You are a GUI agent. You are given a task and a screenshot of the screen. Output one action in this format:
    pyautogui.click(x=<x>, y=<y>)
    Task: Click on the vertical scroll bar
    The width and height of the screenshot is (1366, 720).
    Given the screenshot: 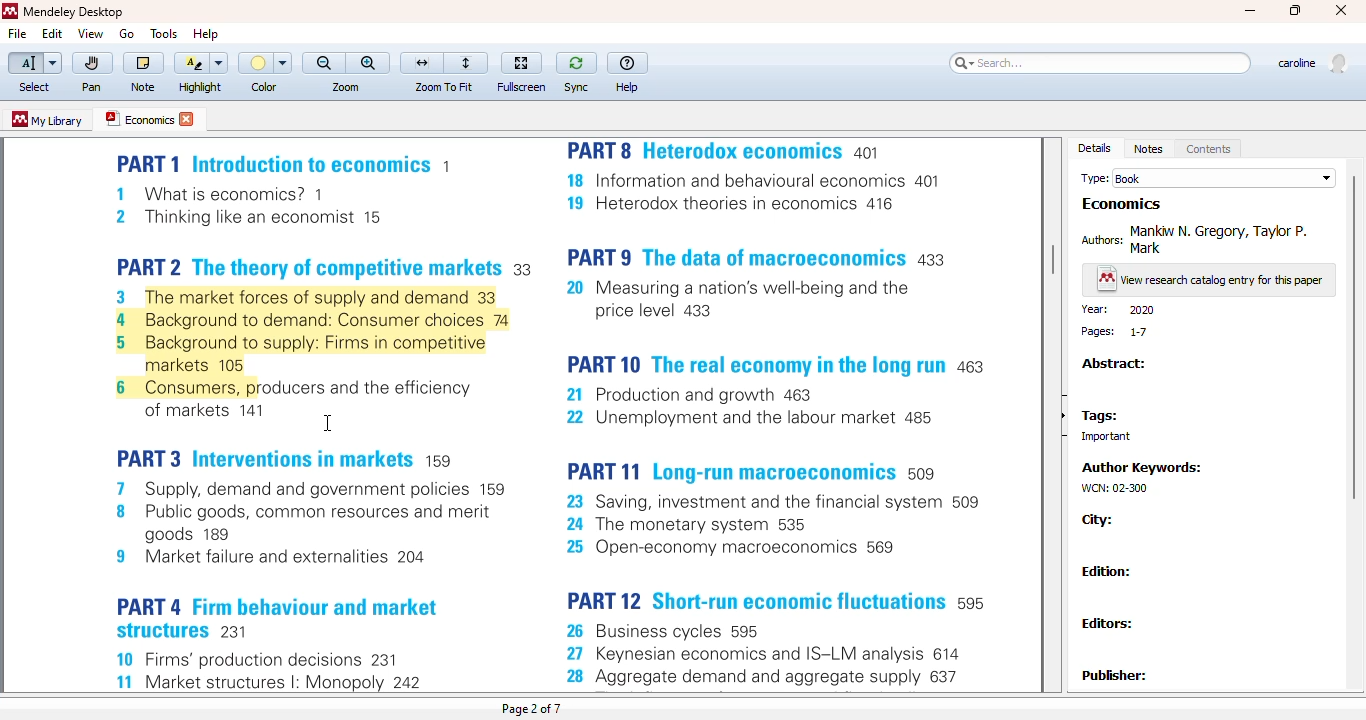 What is the action you would take?
    pyautogui.click(x=1351, y=337)
    